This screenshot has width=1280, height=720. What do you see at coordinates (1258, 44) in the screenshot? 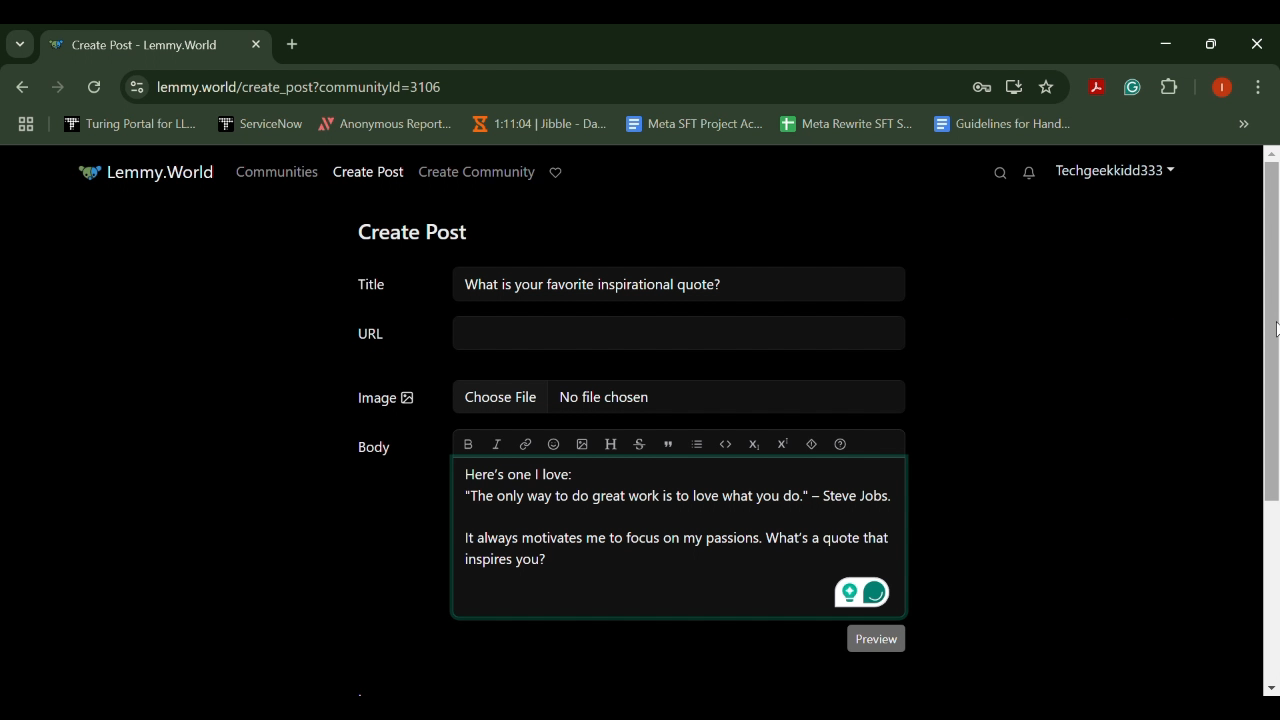
I see `Close Window` at bounding box center [1258, 44].